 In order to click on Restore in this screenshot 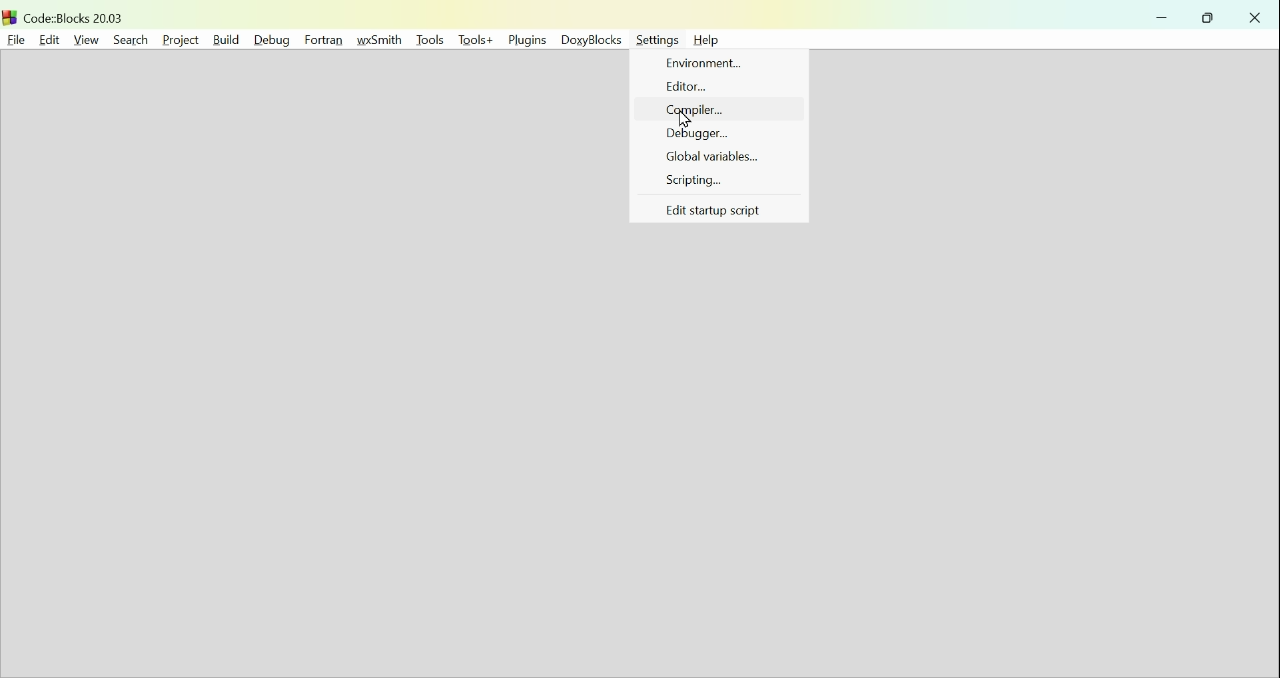, I will do `click(1210, 18)`.